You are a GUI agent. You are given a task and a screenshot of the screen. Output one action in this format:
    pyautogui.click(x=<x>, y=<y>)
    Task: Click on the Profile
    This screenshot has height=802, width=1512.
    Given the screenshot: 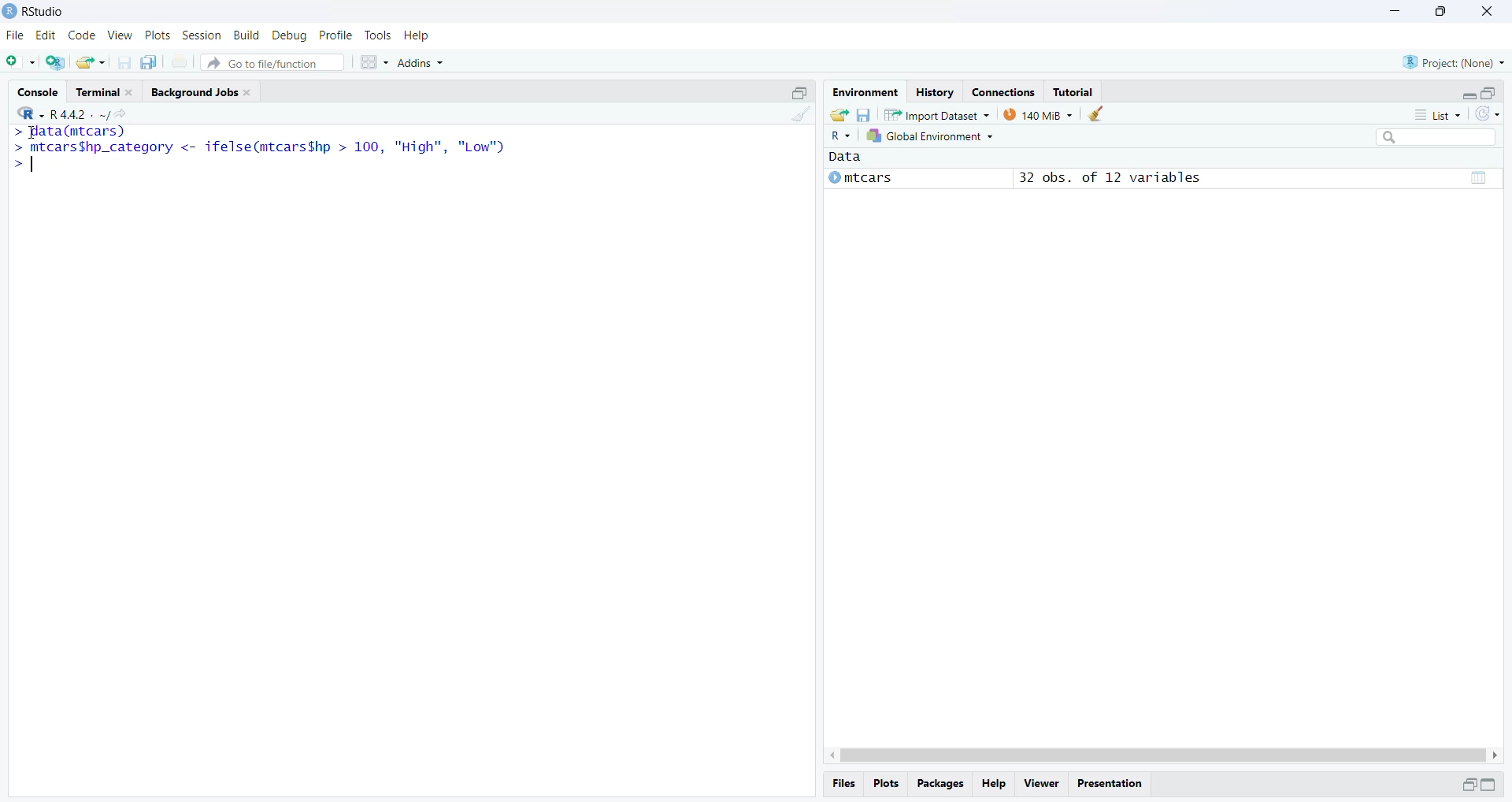 What is the action you would take?
    pyautogui.click(x=336, y=35)
    